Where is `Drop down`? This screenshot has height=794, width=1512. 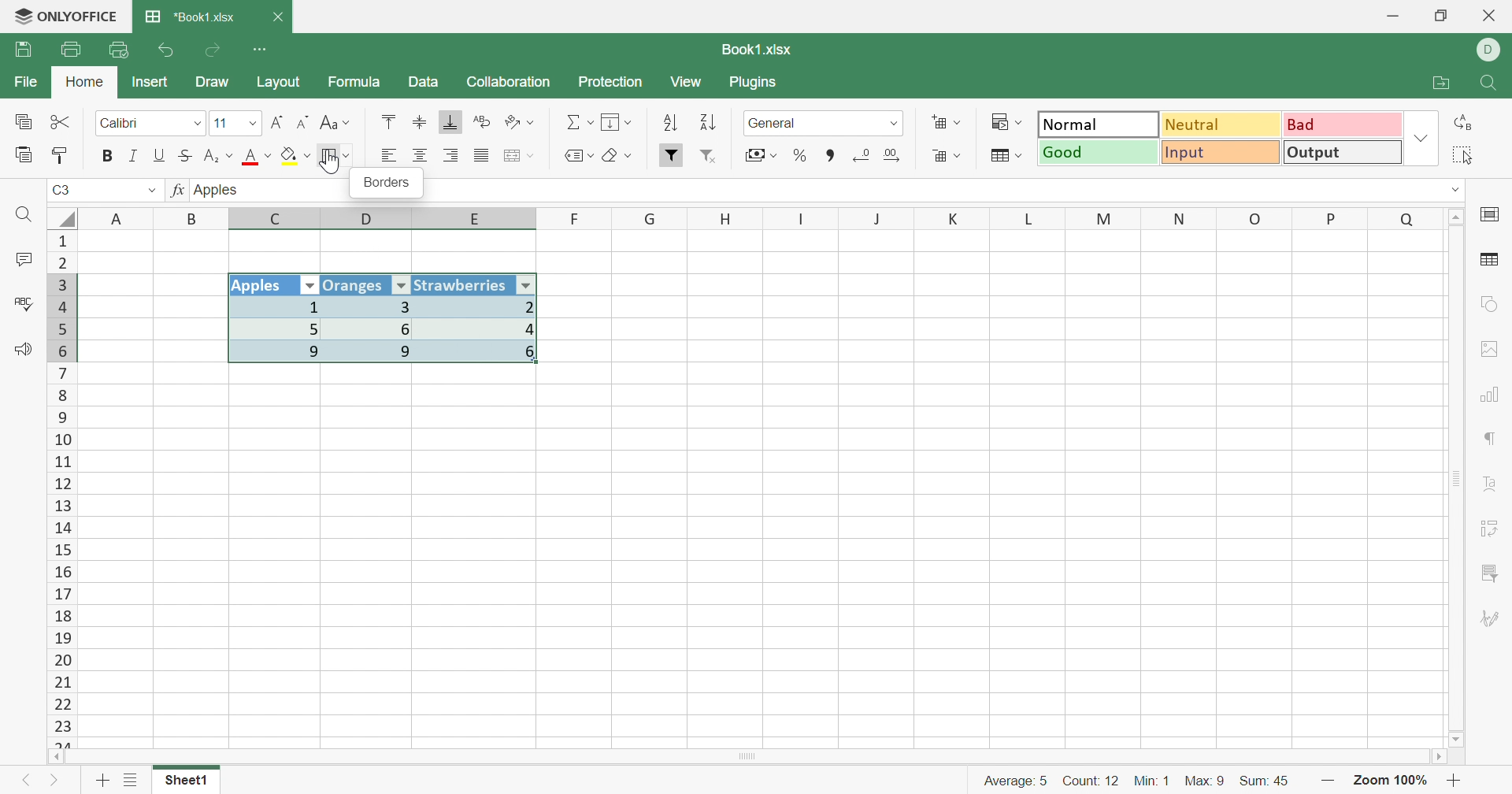 Drop down is located at coordinates (895, 123).